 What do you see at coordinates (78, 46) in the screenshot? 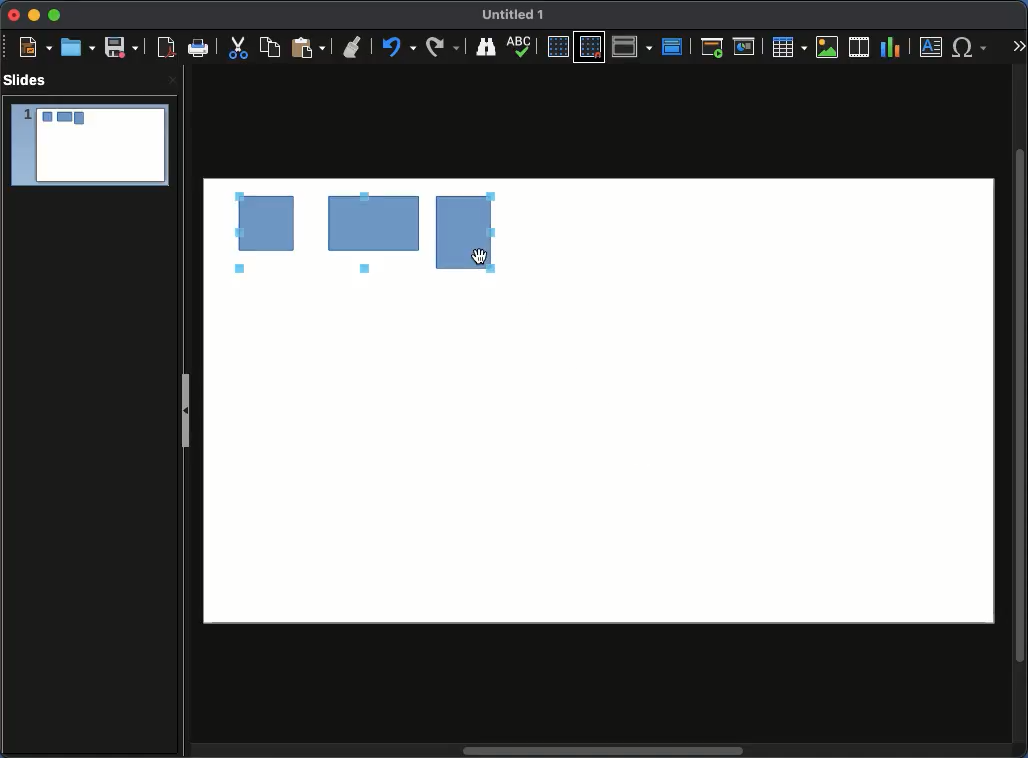
I see `Open` at bounding box center [78, 46].